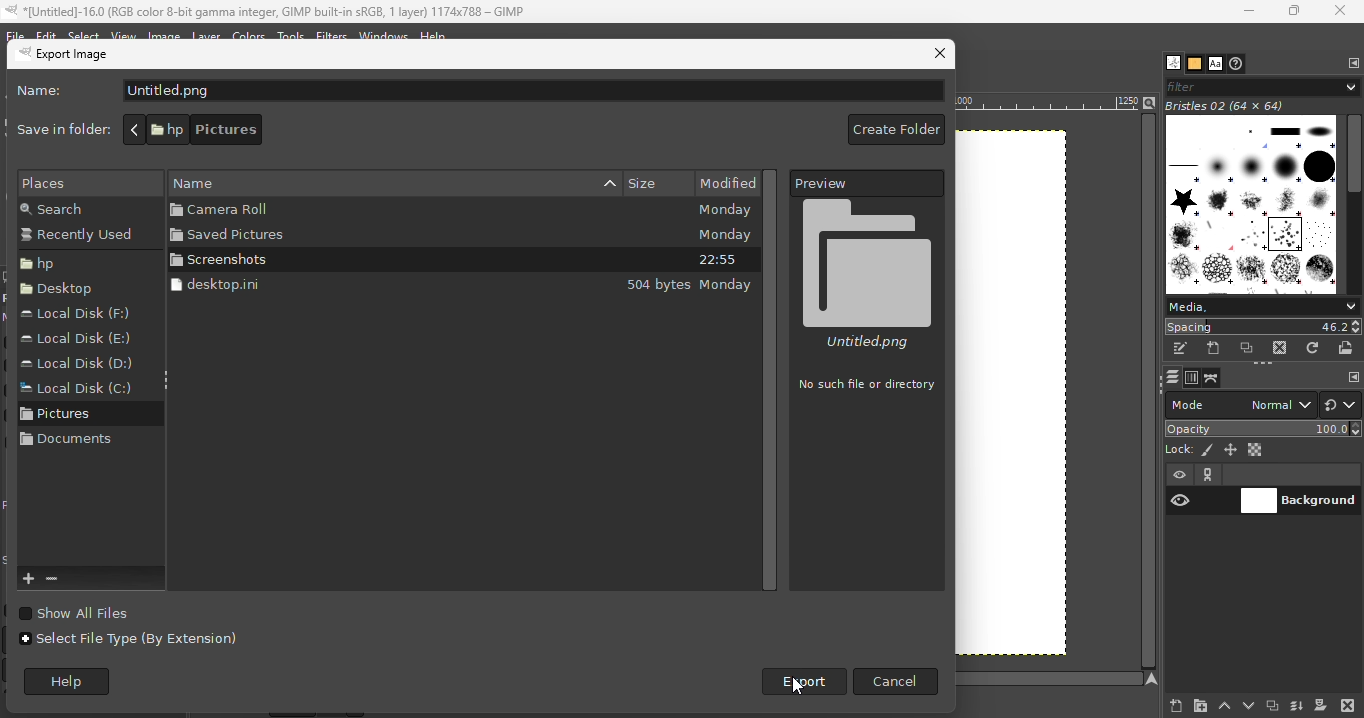 The image size is (1364, 718). I want to click on Help, so click(75, 683).